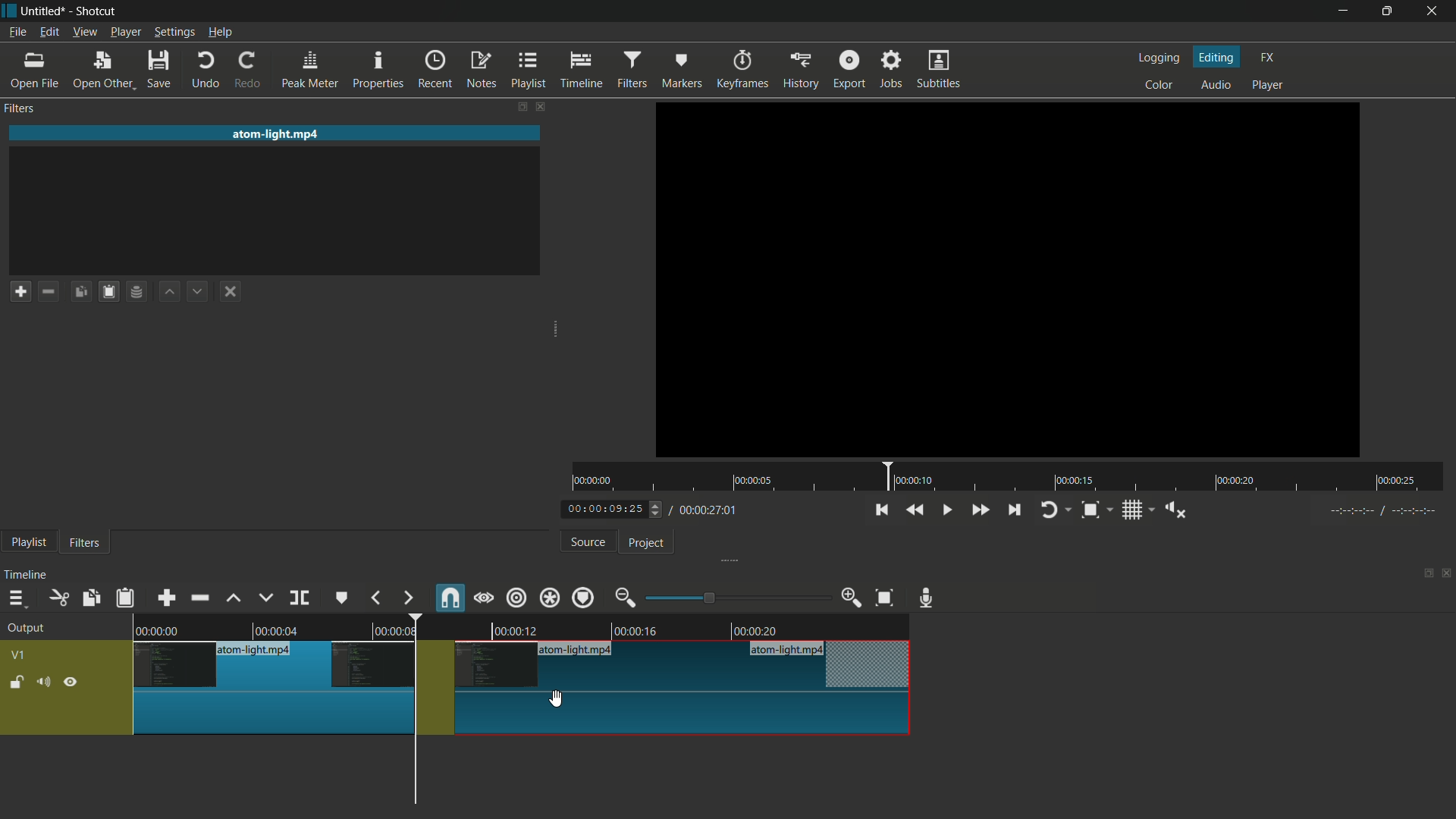 The image size is (1456, 819). What do you see at coordinates (627, 598) in the screenshot?
I see `zoom out` at bounding box center [627, 598].